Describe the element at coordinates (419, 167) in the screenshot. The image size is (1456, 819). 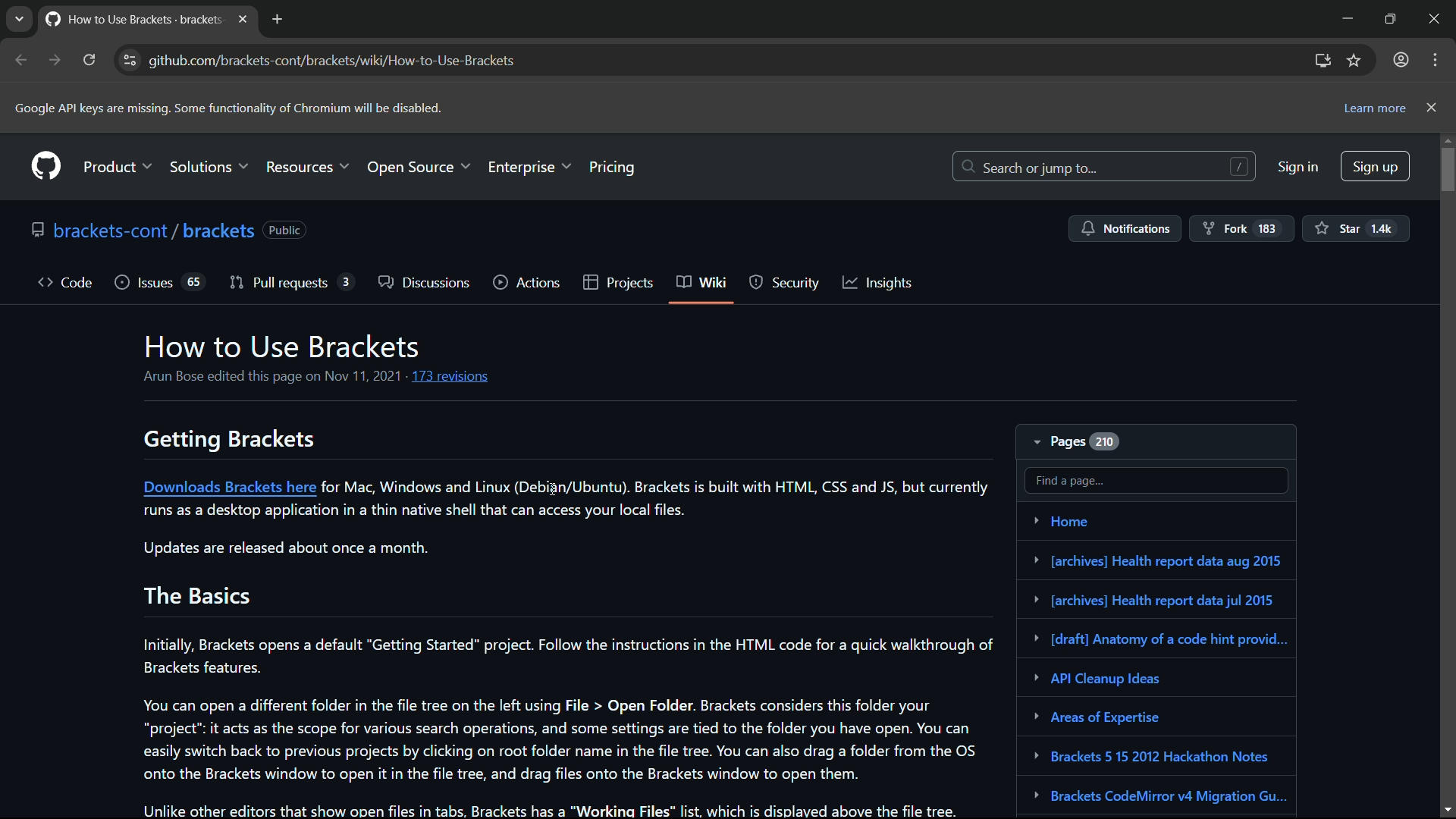
I see `open source` at that location.